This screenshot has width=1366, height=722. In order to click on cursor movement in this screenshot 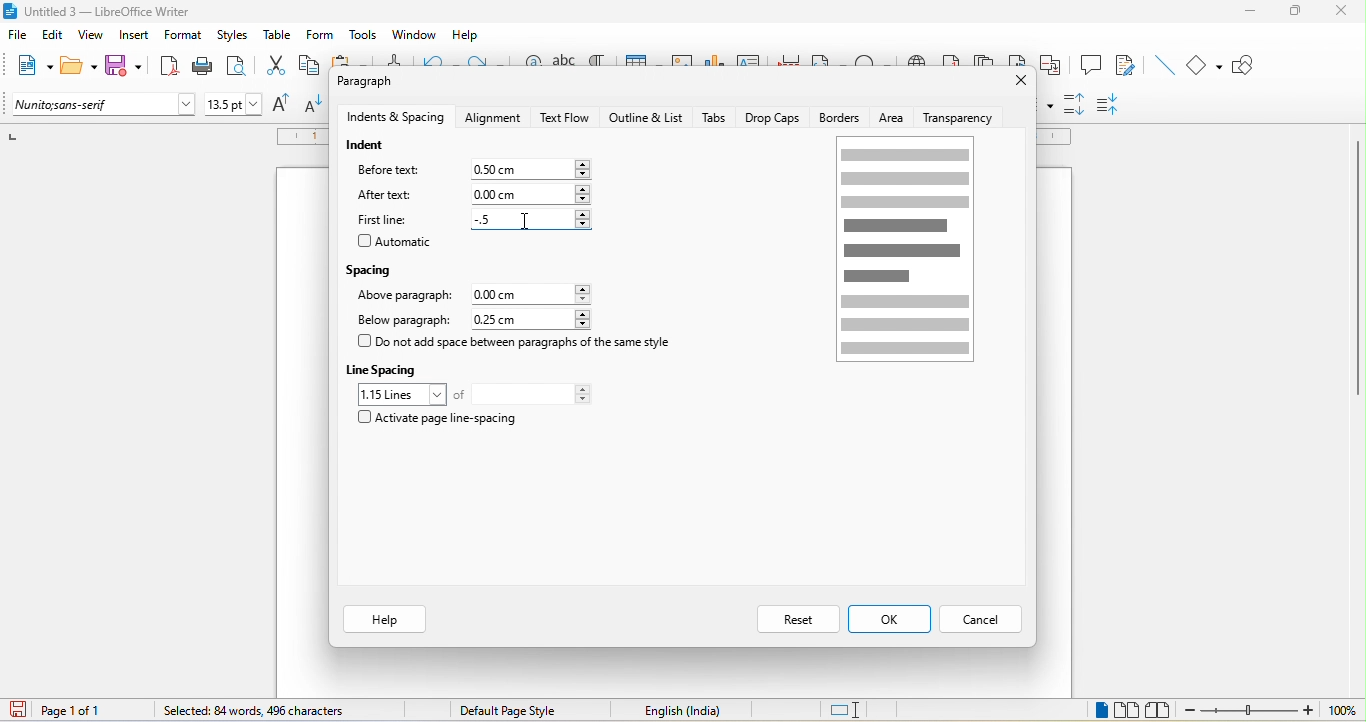, I will do `click(526, 223)`.